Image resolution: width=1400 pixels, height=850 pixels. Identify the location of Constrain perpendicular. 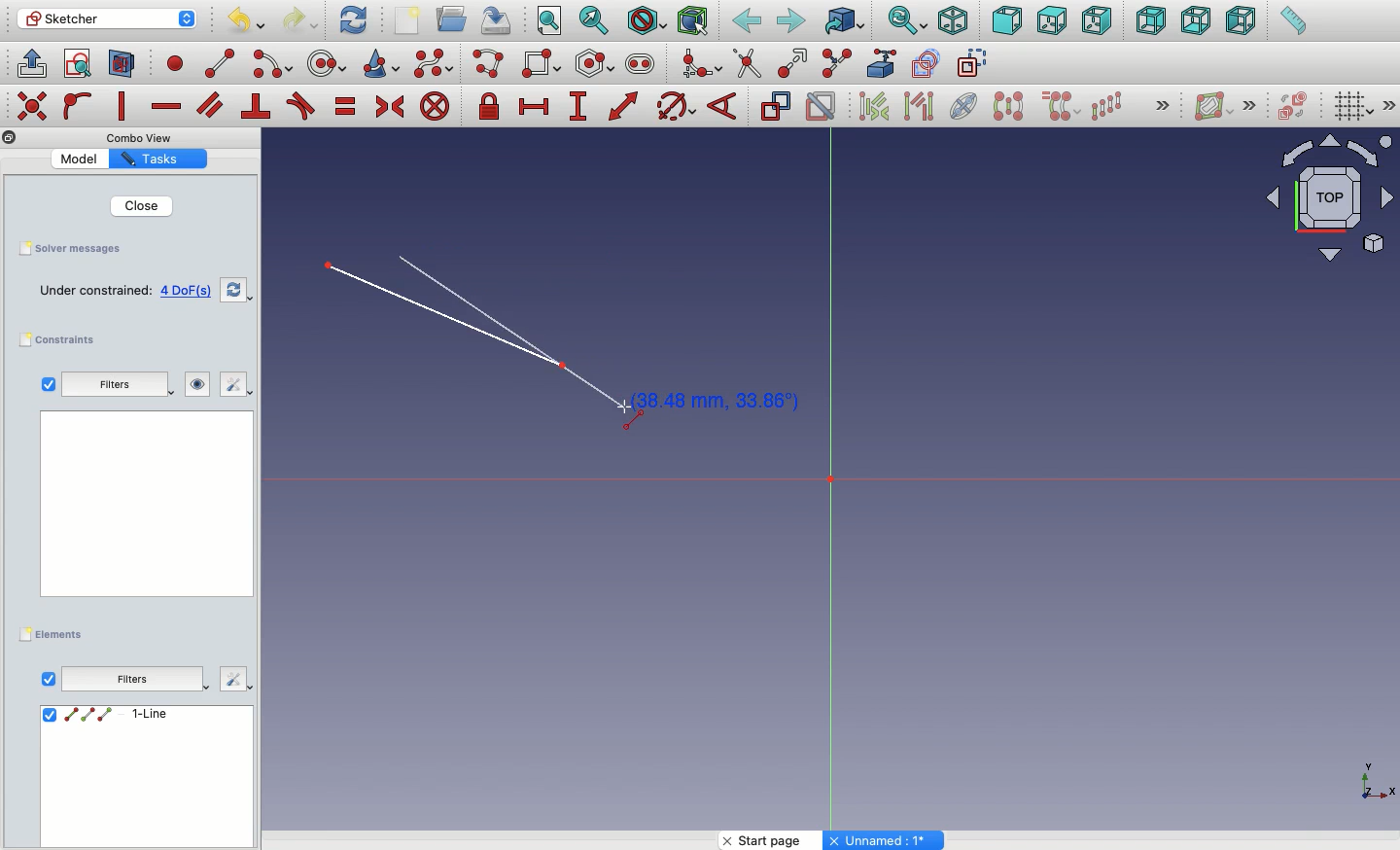
(257, 107).